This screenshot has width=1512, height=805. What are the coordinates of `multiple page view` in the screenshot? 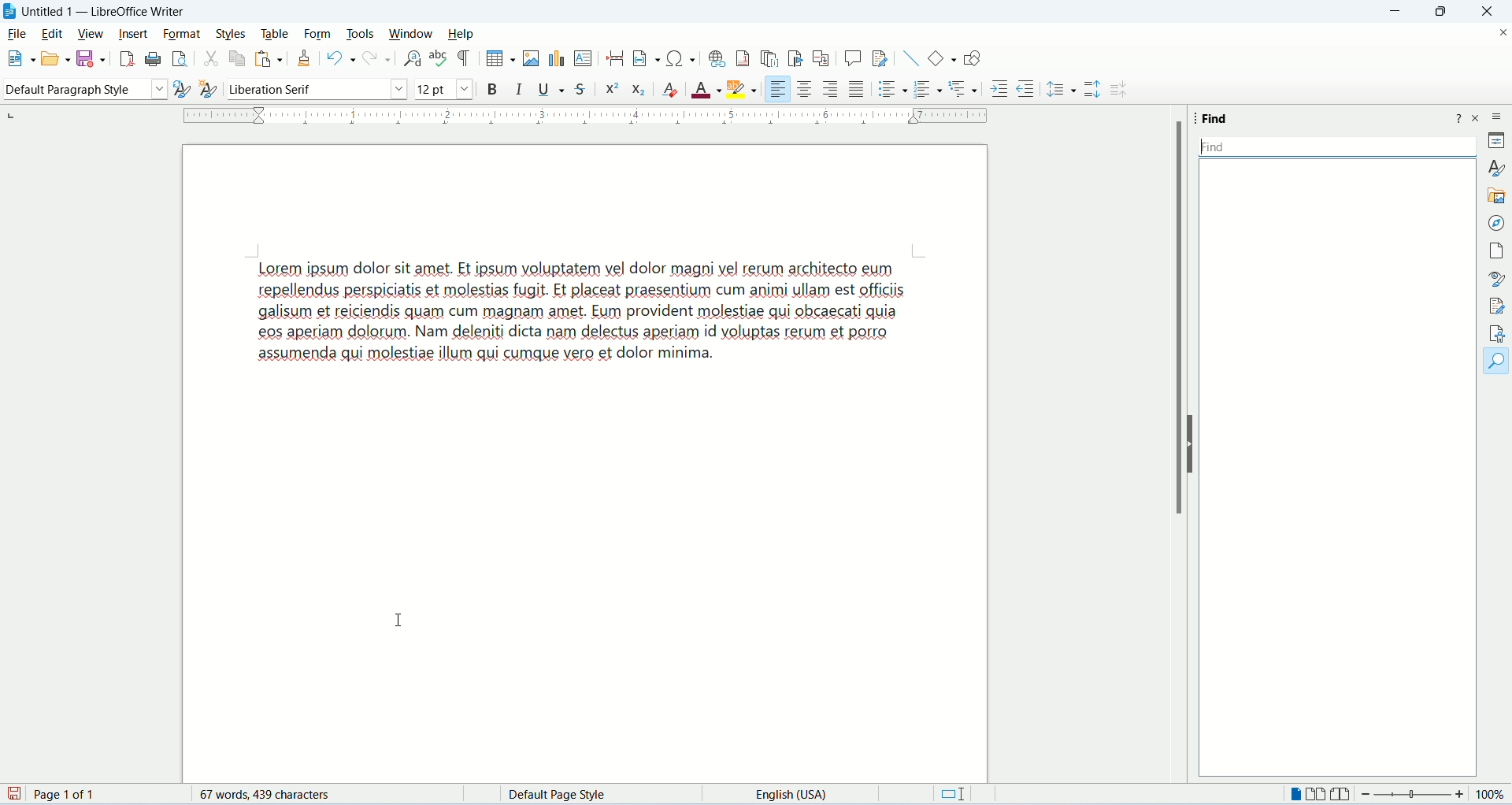 It's located at (1315, 796).